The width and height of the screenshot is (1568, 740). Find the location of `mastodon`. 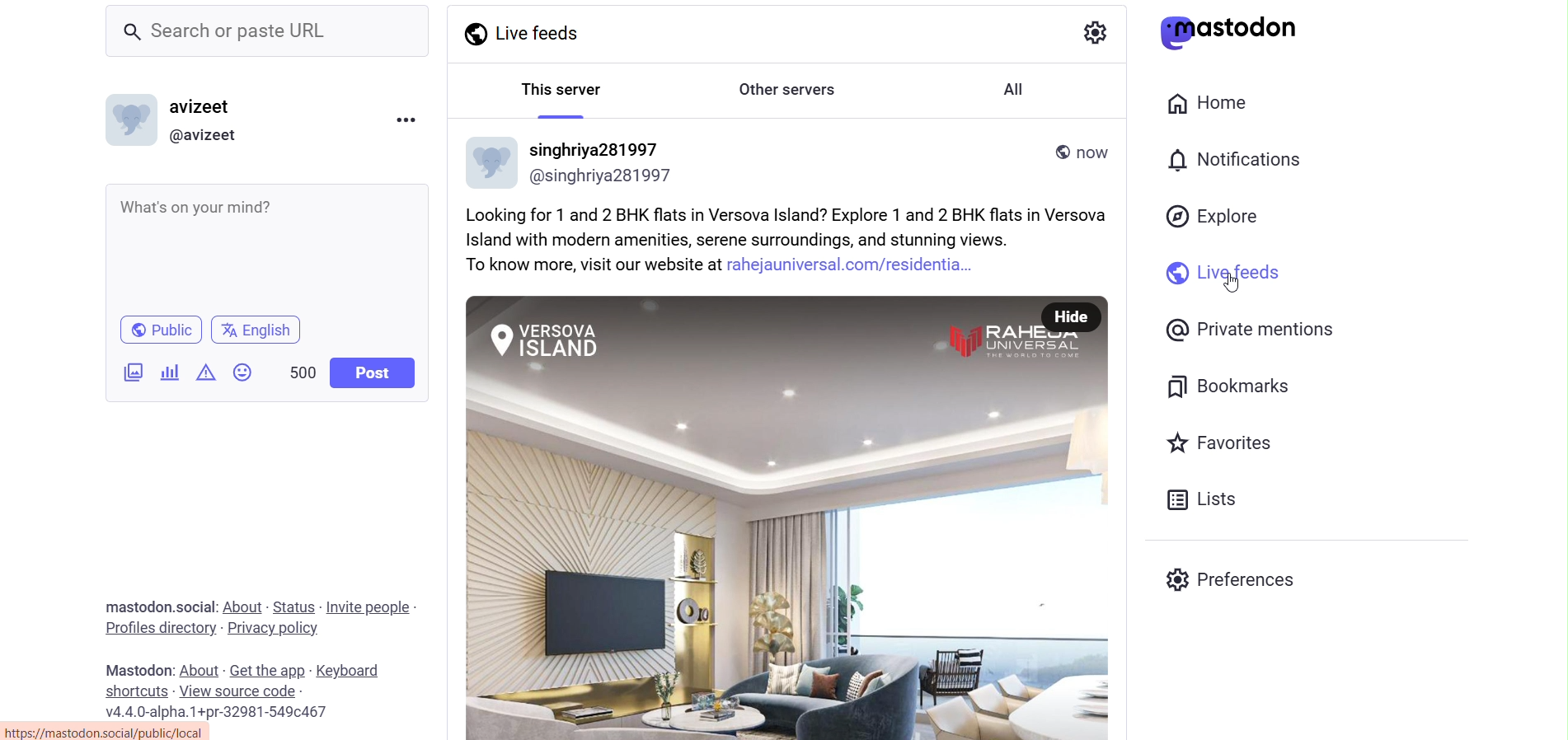

mastodon is located at coordinates (1242, 32).